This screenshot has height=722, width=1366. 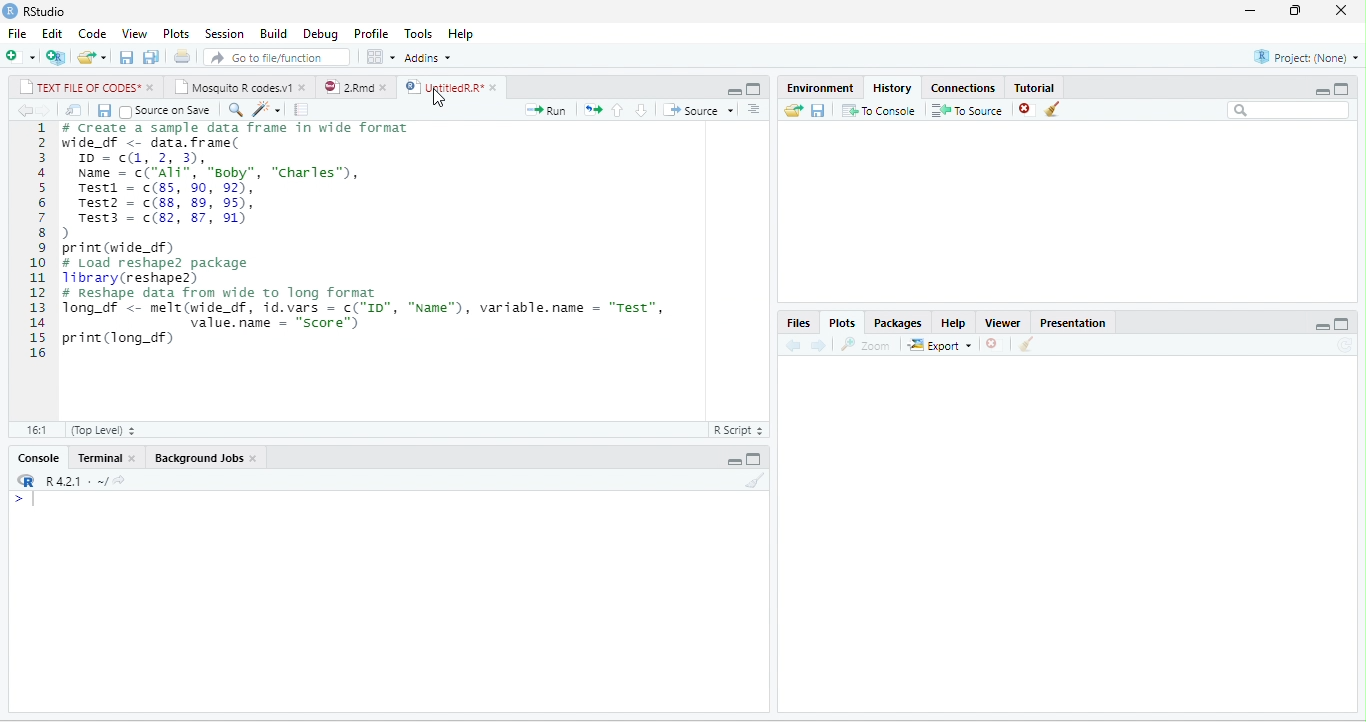 I want to click on Plots, so click(x=177, y=34).